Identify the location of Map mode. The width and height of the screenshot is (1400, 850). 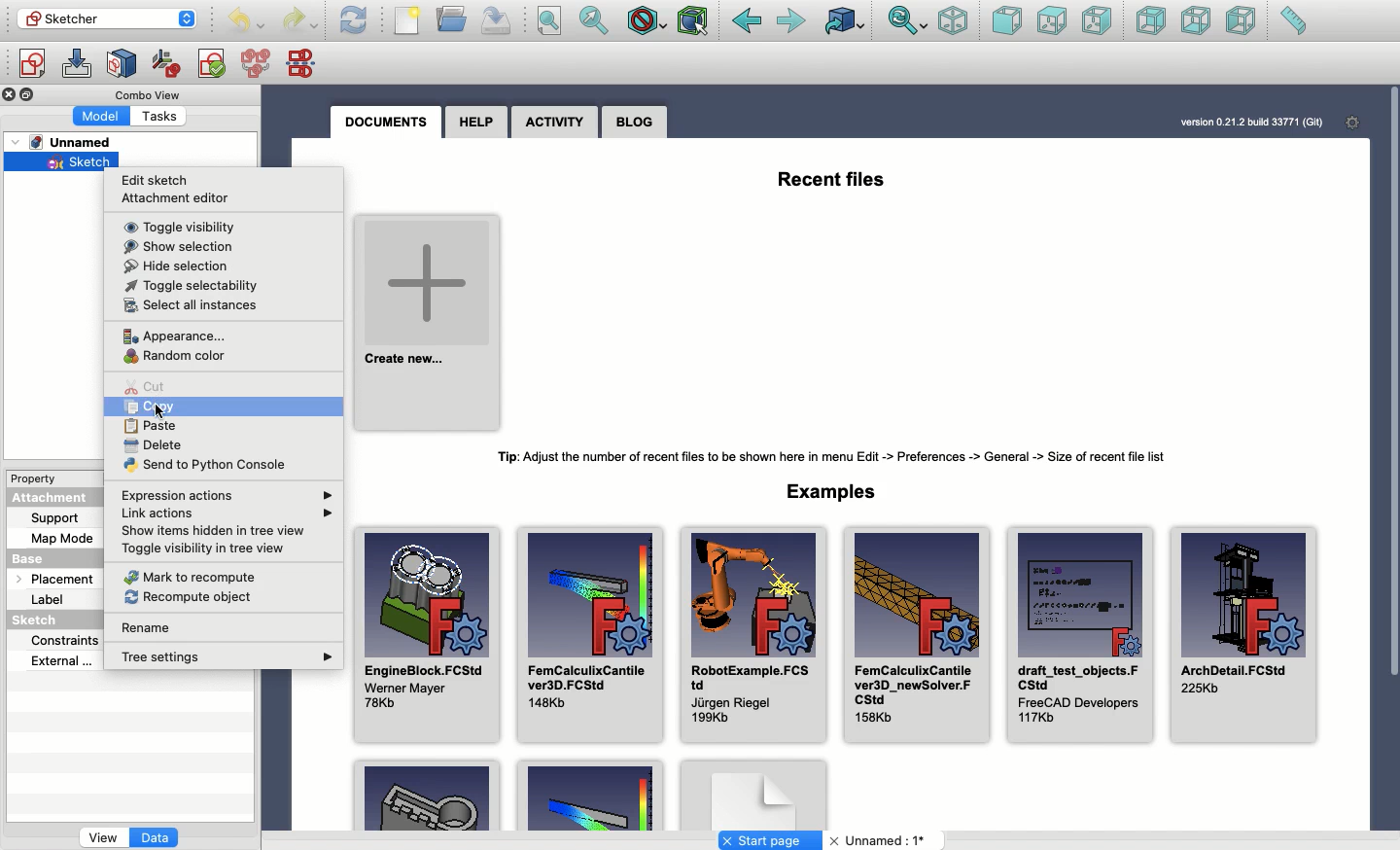
(62, 536).